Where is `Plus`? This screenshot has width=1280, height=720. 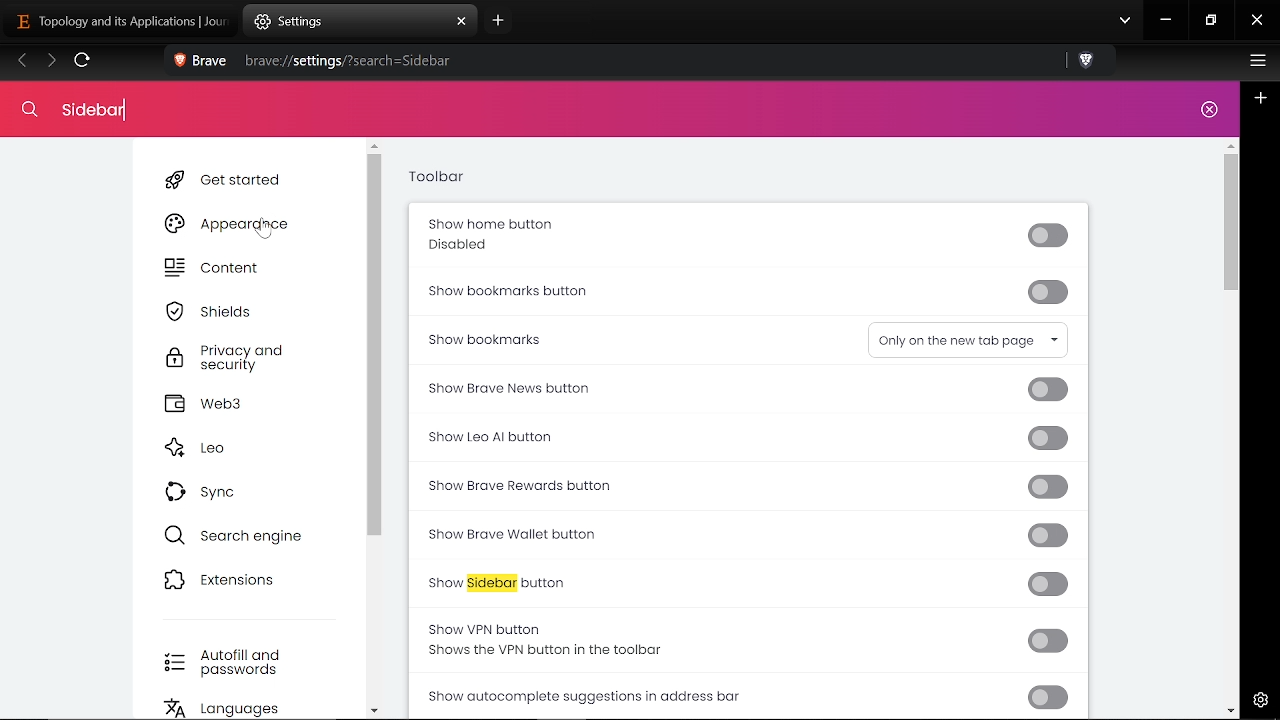
Plus is located at coordinates (1261, 98).